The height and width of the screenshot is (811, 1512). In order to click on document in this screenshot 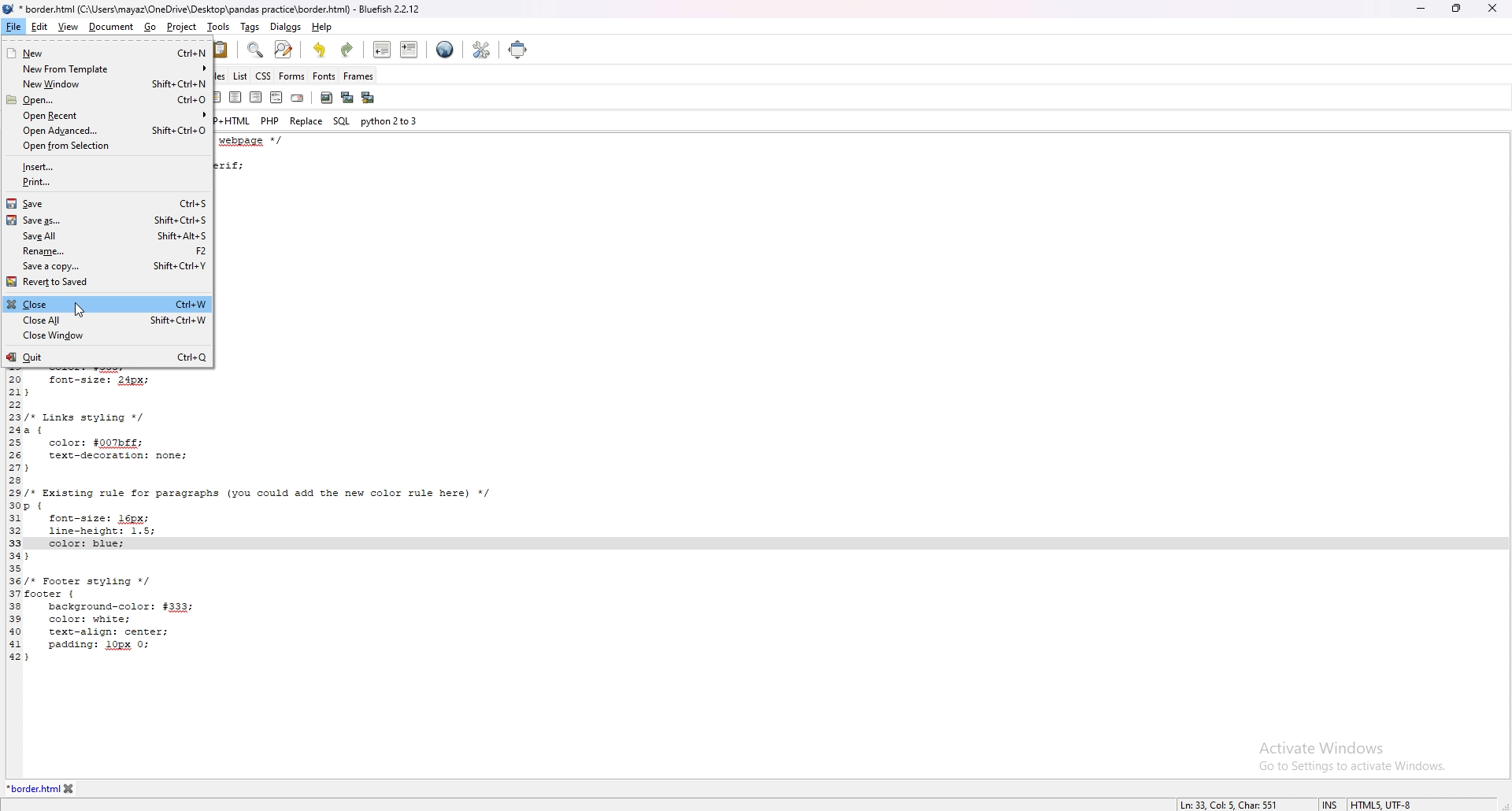, I will do `click(112, 27)`.